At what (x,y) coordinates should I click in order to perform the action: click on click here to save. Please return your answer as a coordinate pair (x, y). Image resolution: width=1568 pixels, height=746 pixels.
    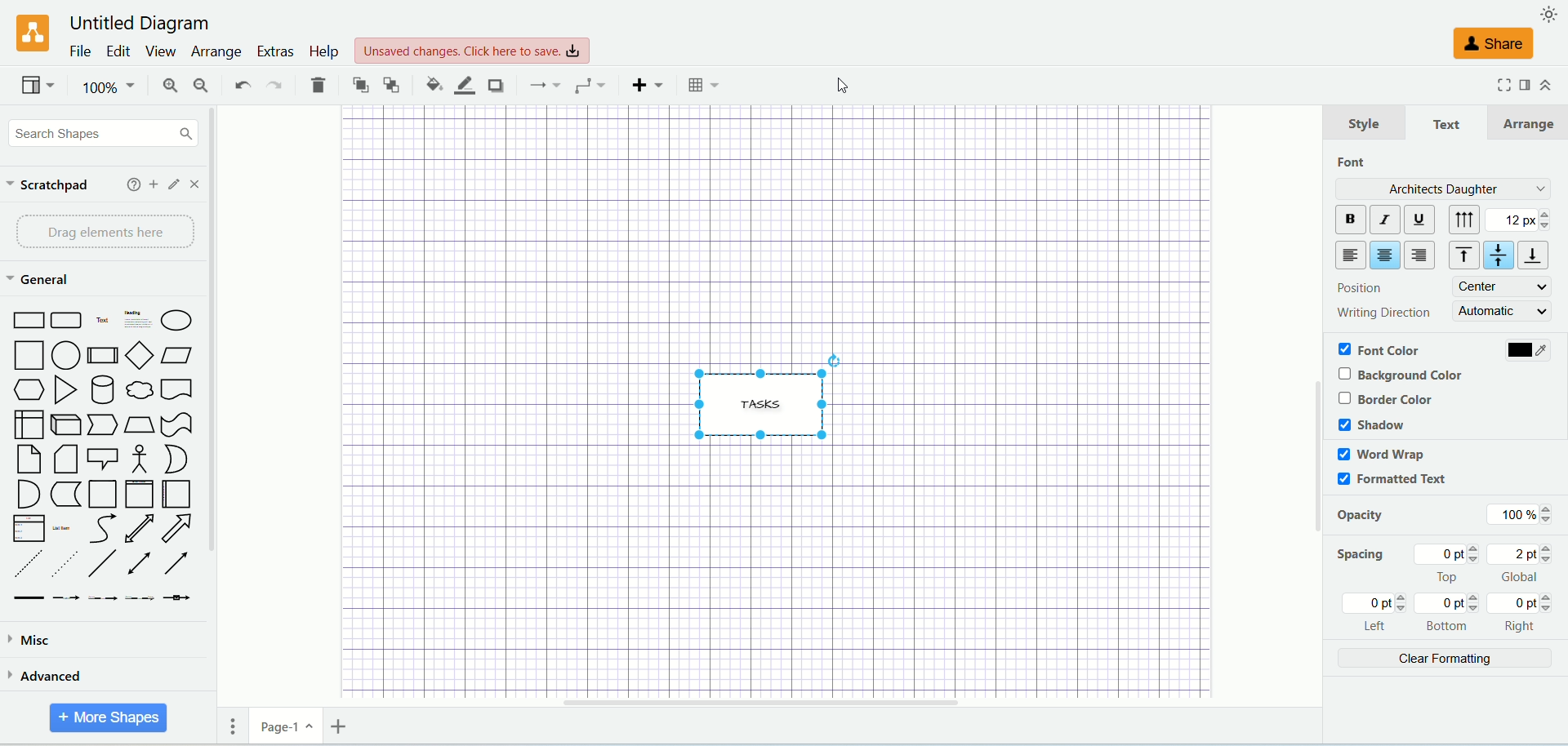
    Looking at the image, I should click on (472, 51).